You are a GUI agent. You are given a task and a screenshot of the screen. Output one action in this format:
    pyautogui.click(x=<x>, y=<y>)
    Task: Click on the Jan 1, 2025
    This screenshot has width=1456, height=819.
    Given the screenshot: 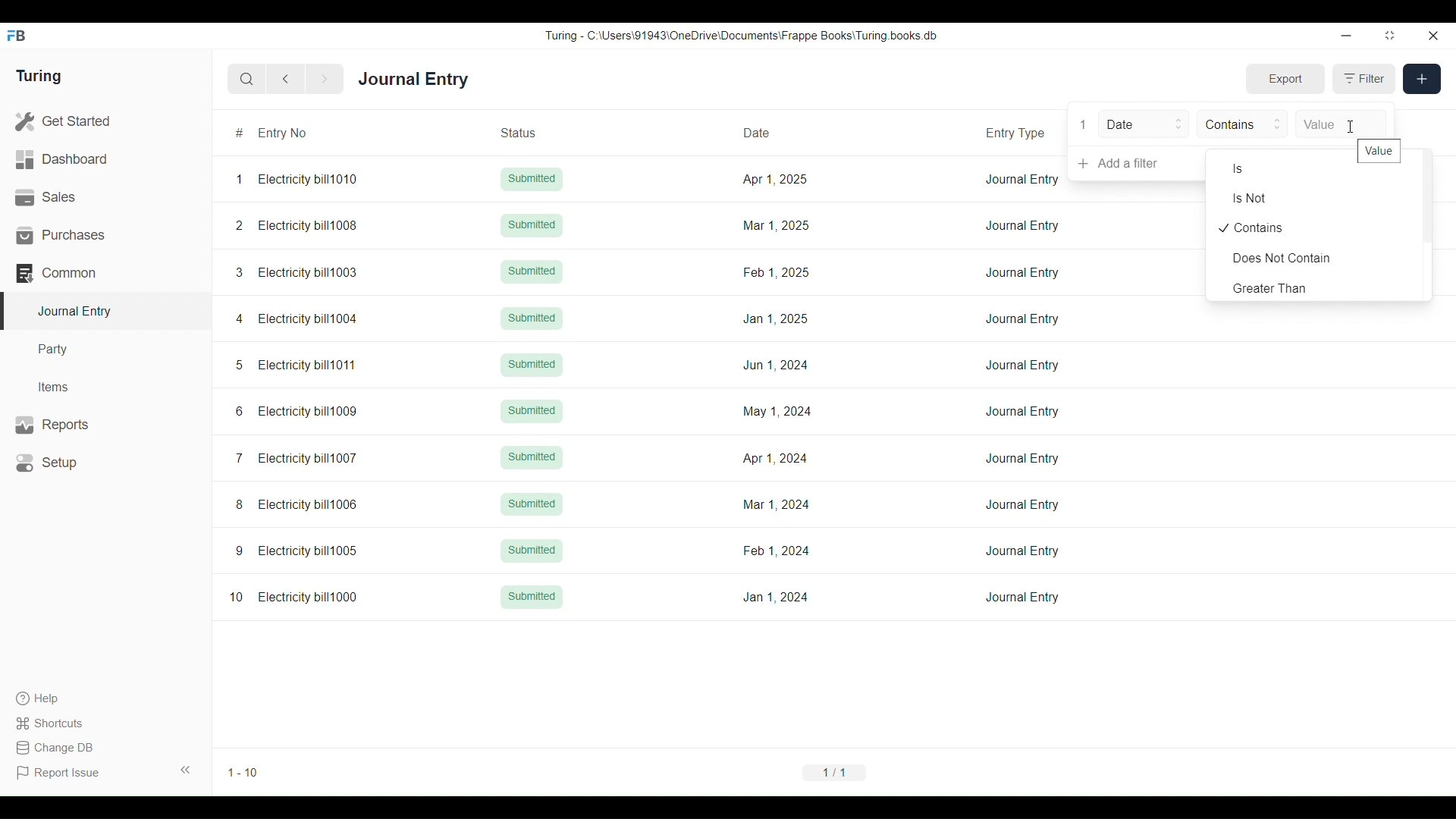 What is the action you would take?
    pyautogui.click(x=776, y=318)
    